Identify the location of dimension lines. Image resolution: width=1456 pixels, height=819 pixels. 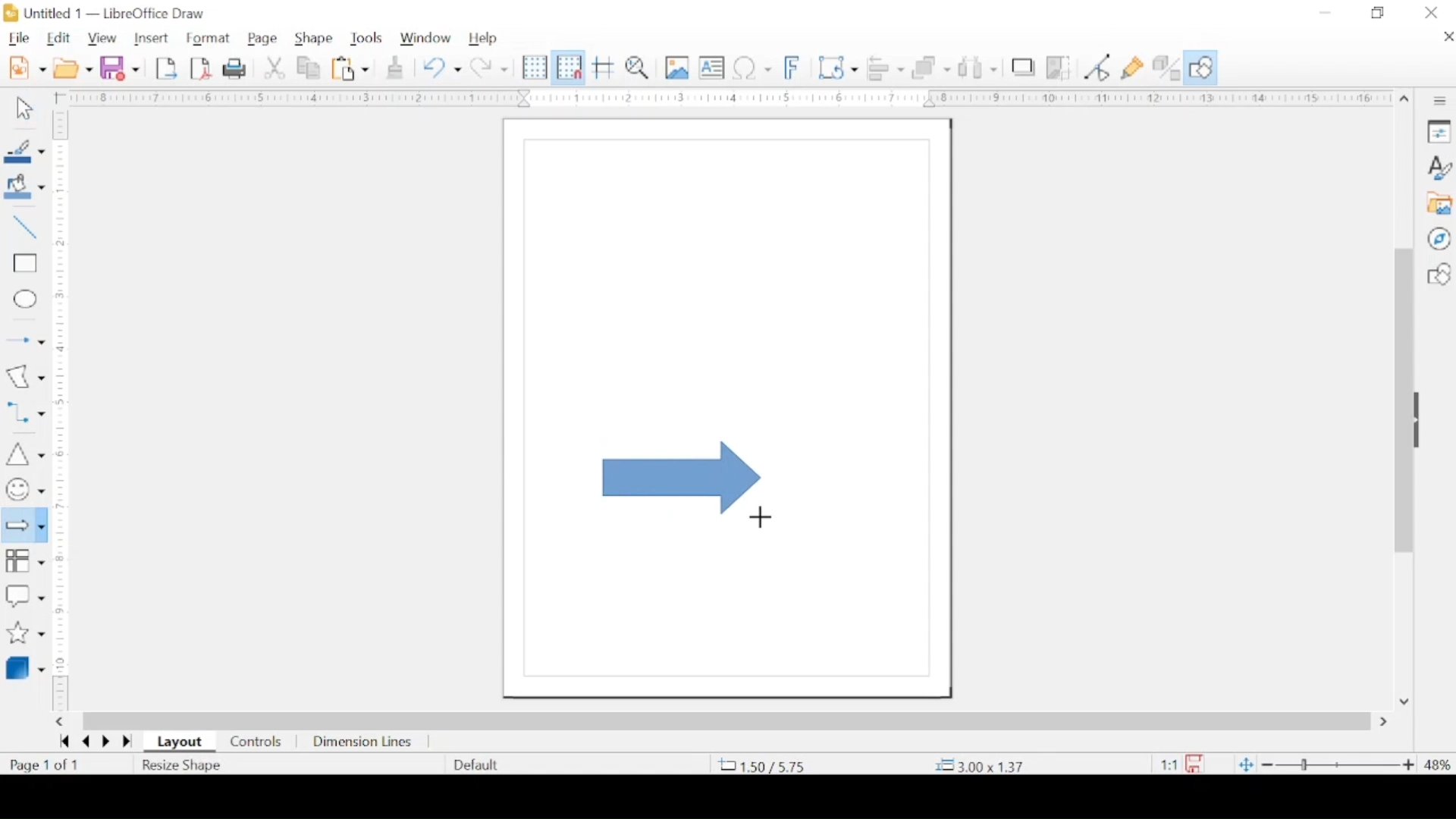
(363, 742).